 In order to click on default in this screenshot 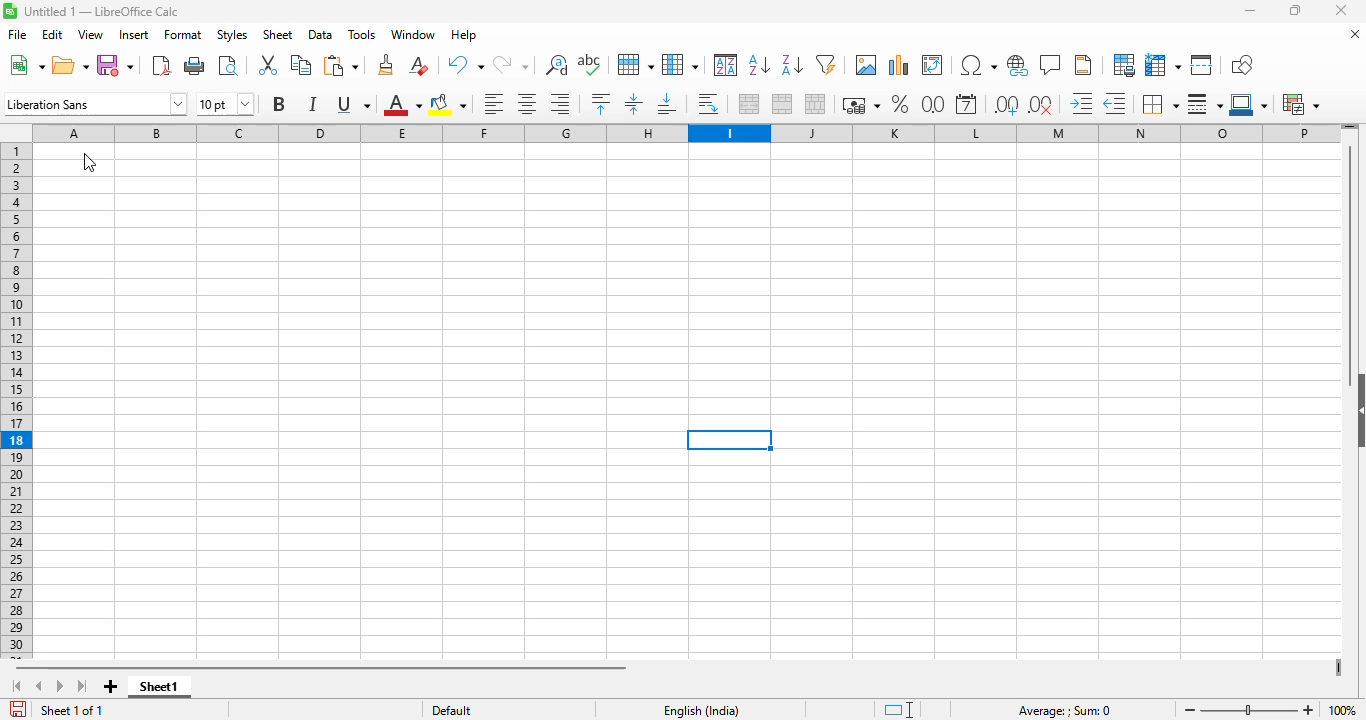, I will do `click(452, 711)`.